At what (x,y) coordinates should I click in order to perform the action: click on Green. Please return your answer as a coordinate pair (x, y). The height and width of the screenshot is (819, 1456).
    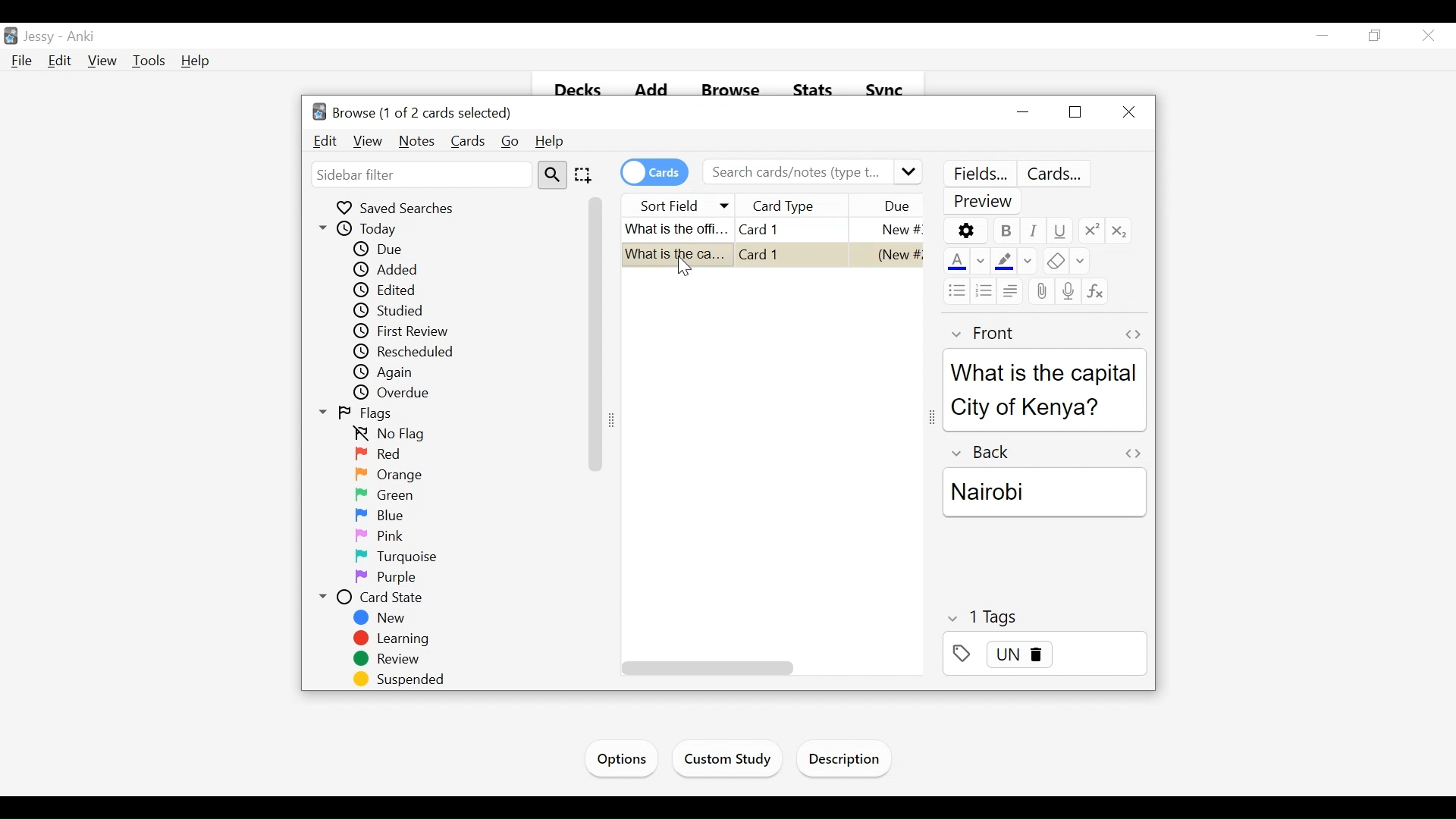
    Looking at the image, I should click on (383, 494).